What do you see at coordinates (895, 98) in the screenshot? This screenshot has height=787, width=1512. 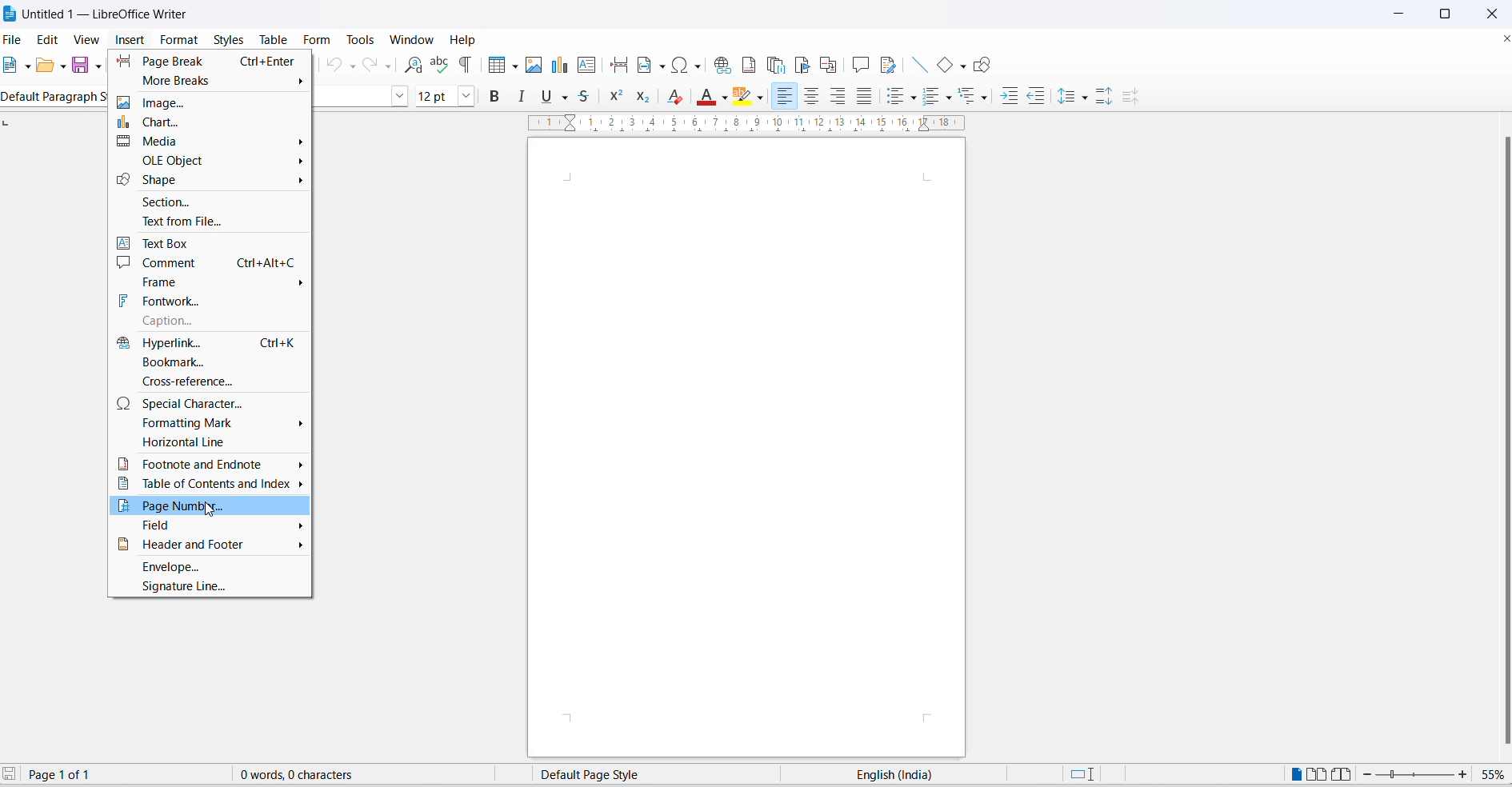 I see `toggle unordered list` at bounding box center [895, 98].